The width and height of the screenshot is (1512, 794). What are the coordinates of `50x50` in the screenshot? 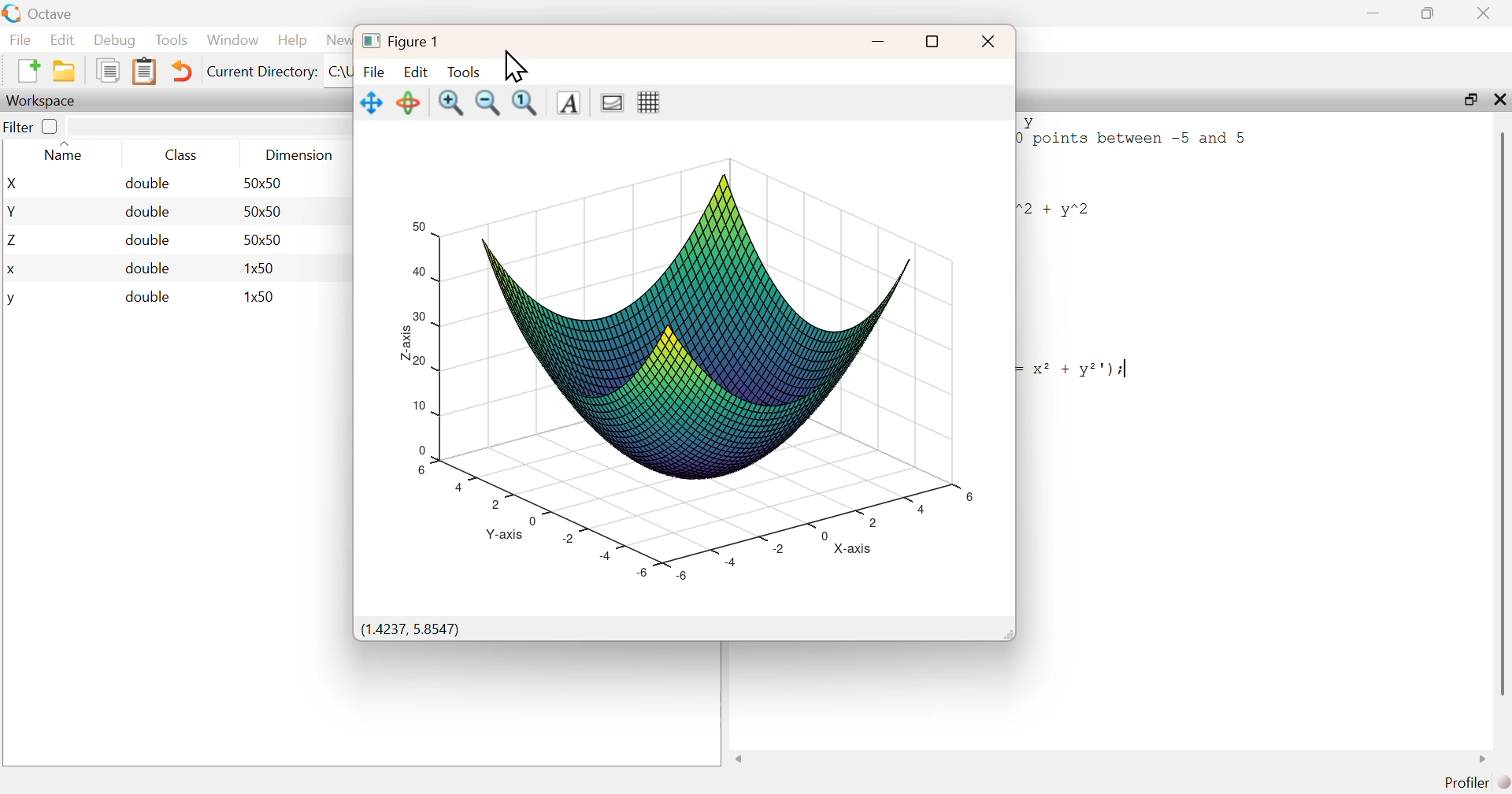 It's located at (264, 239).